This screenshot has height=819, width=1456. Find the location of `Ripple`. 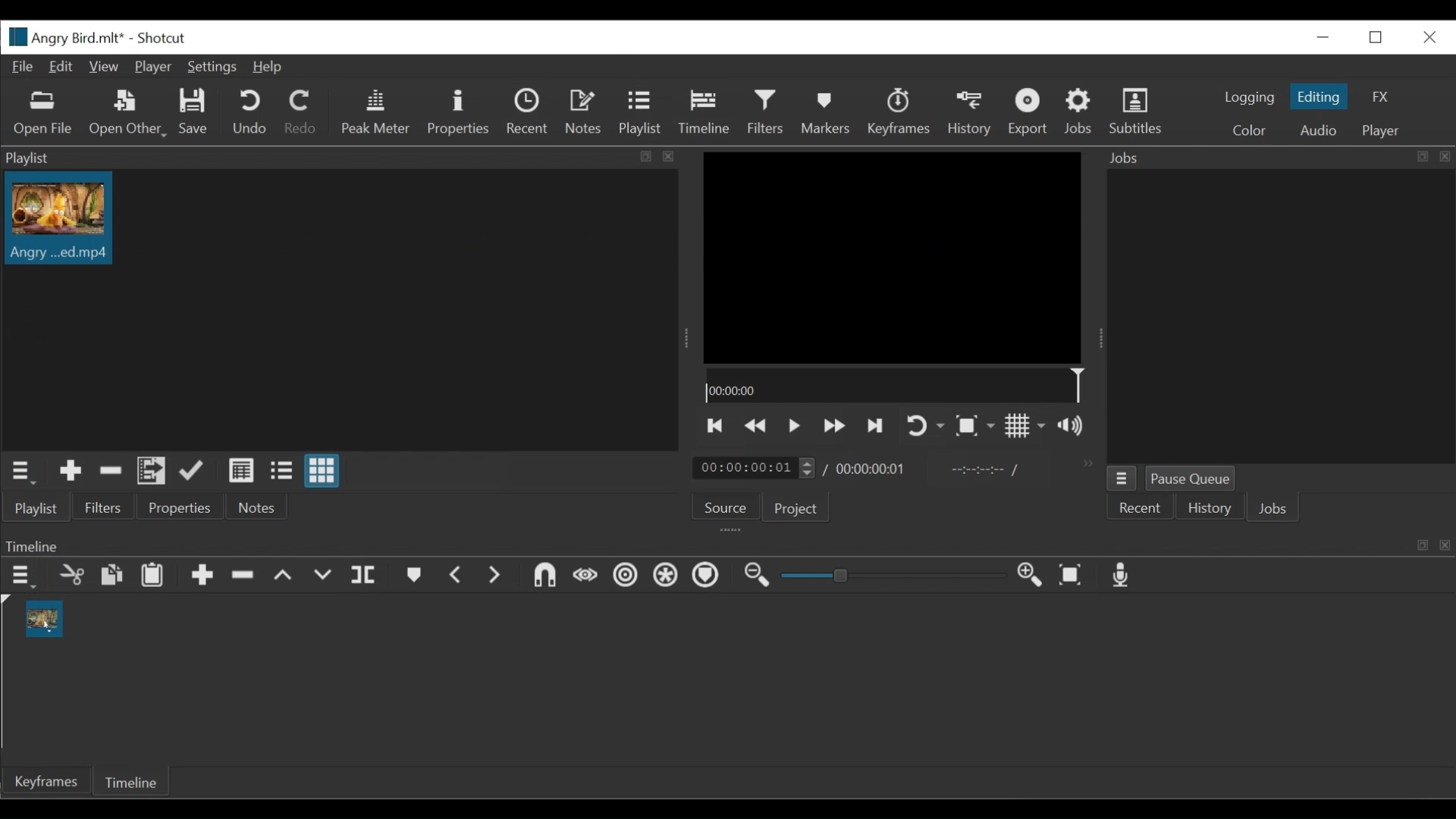

Ripple is located at coordinates (626, 577).